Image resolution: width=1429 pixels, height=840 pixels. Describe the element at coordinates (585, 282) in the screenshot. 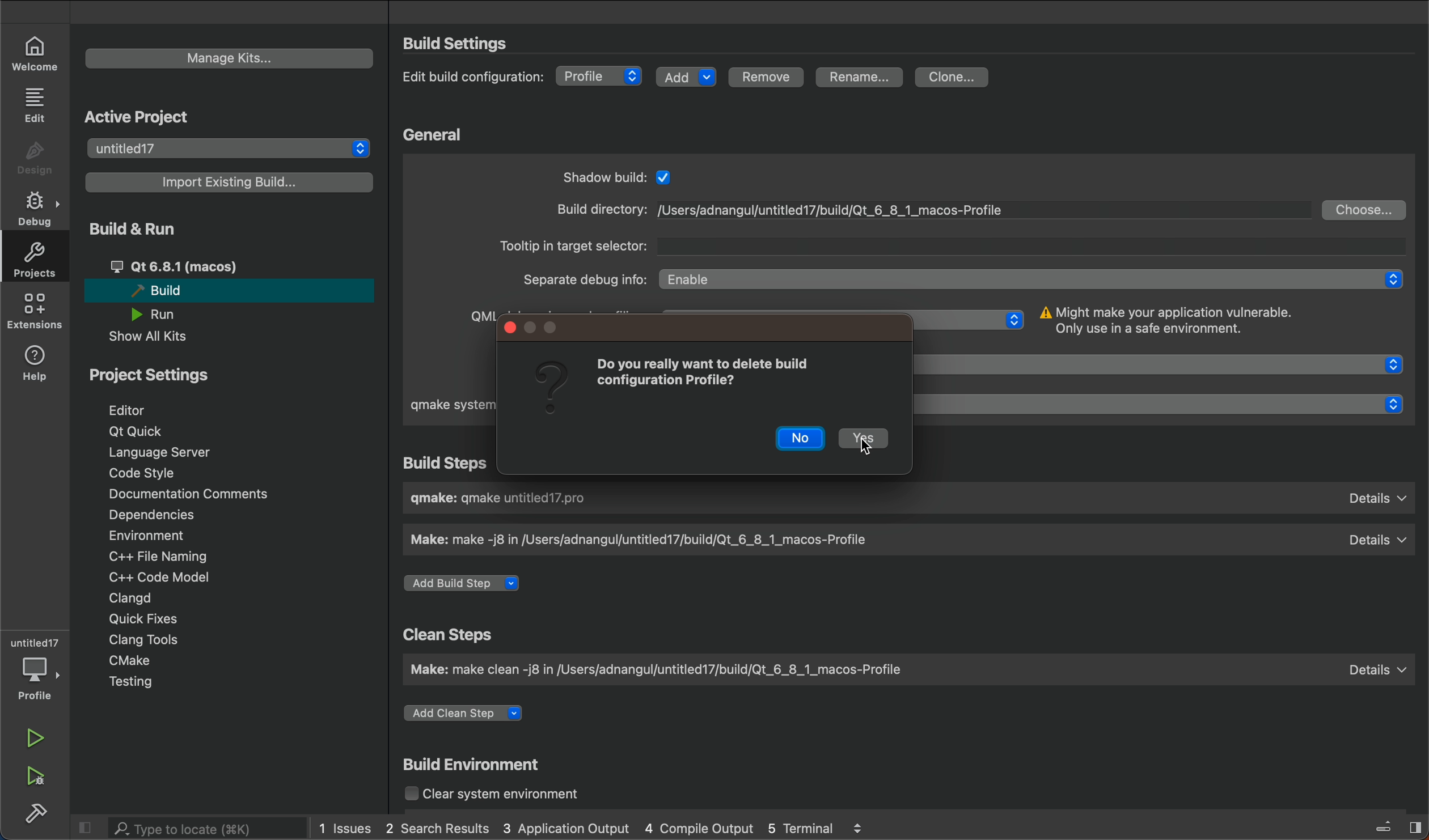

I see `sepertae debug` at that location.